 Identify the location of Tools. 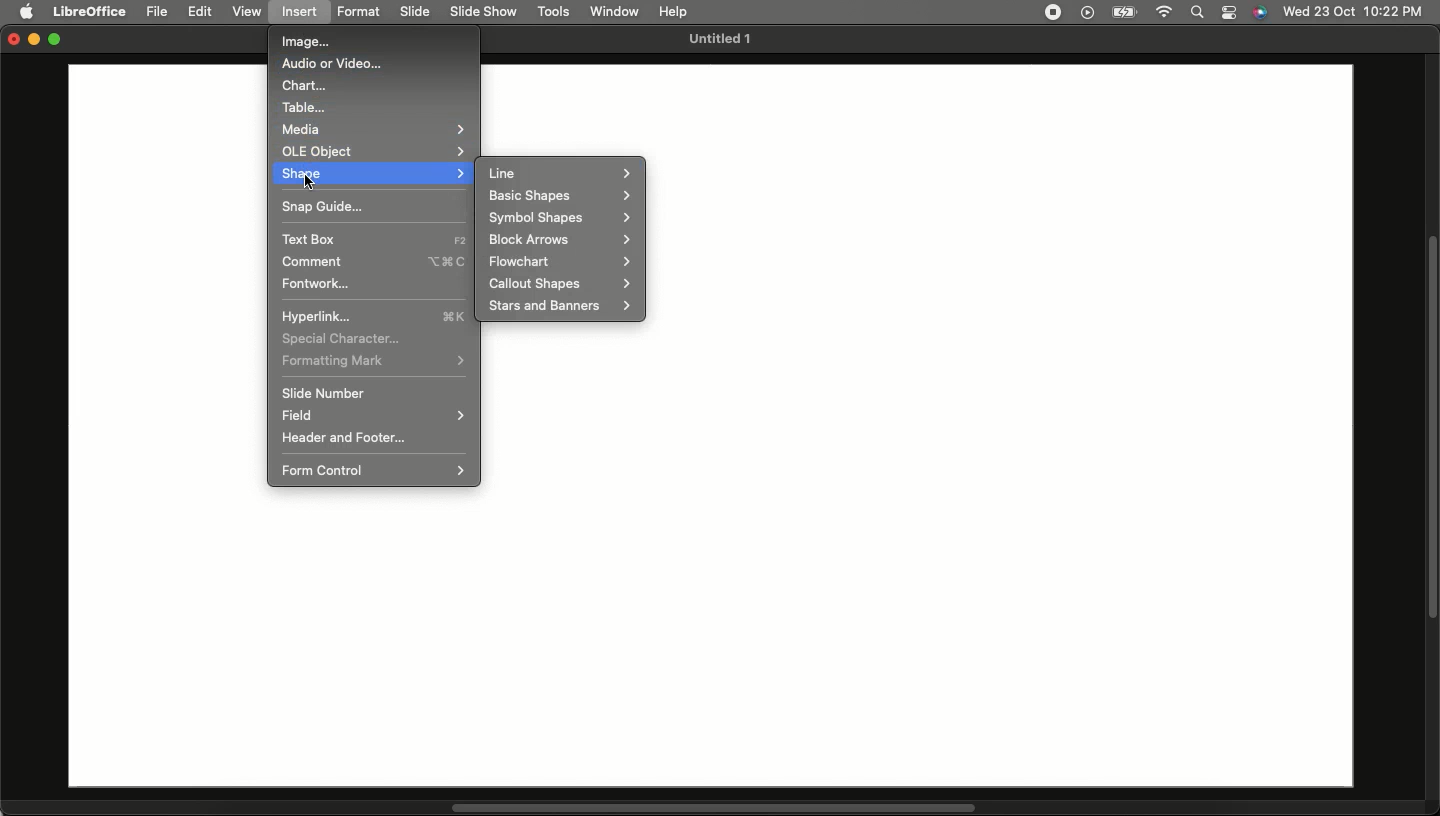
(555, 12).